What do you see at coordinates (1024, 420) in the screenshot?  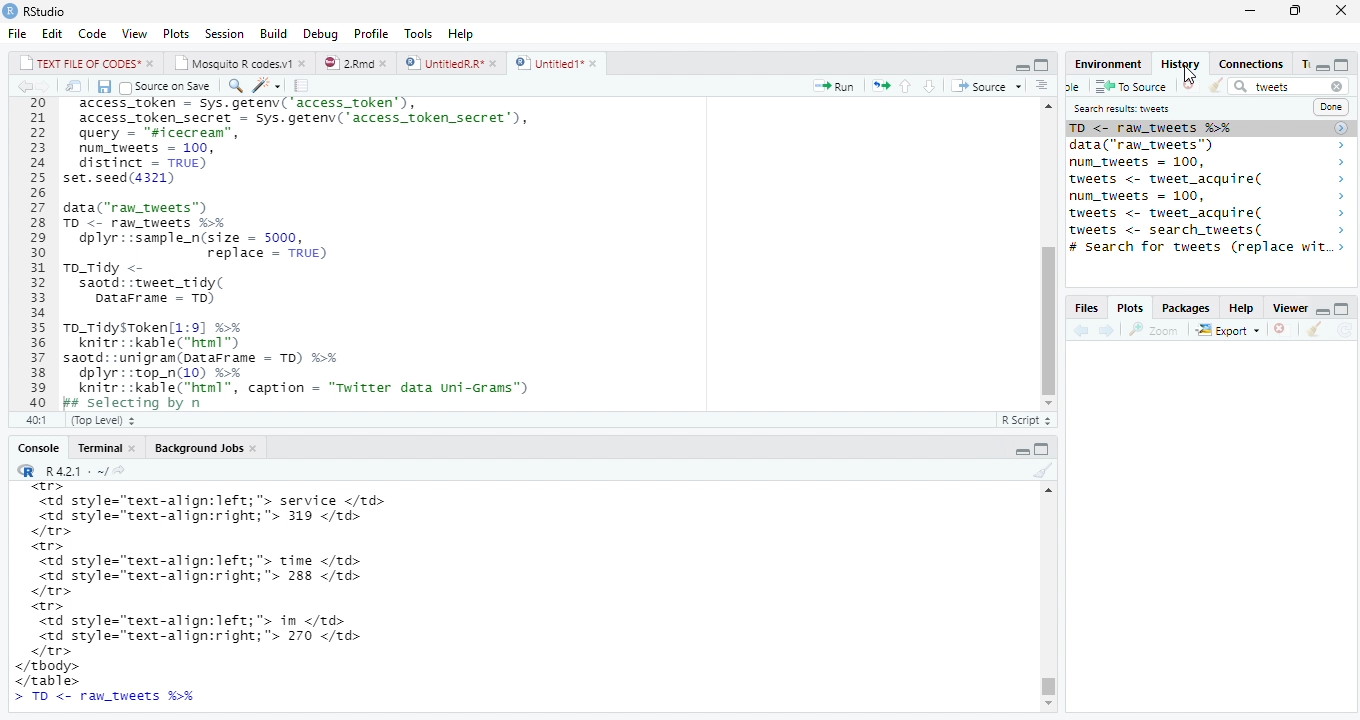 I see `R Script ` at bounding box center [1024, 420].